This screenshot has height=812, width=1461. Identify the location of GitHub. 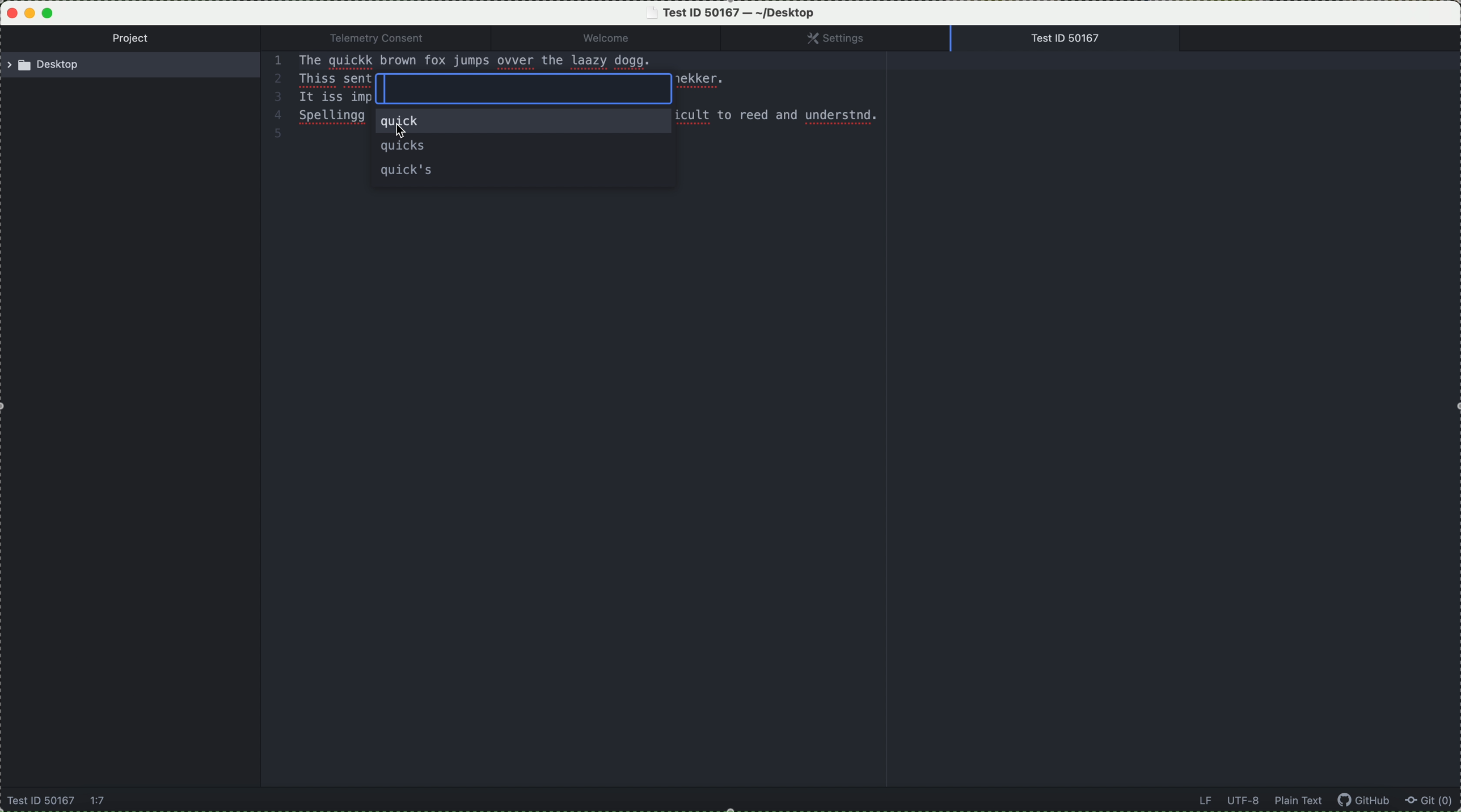
(1368, 802).